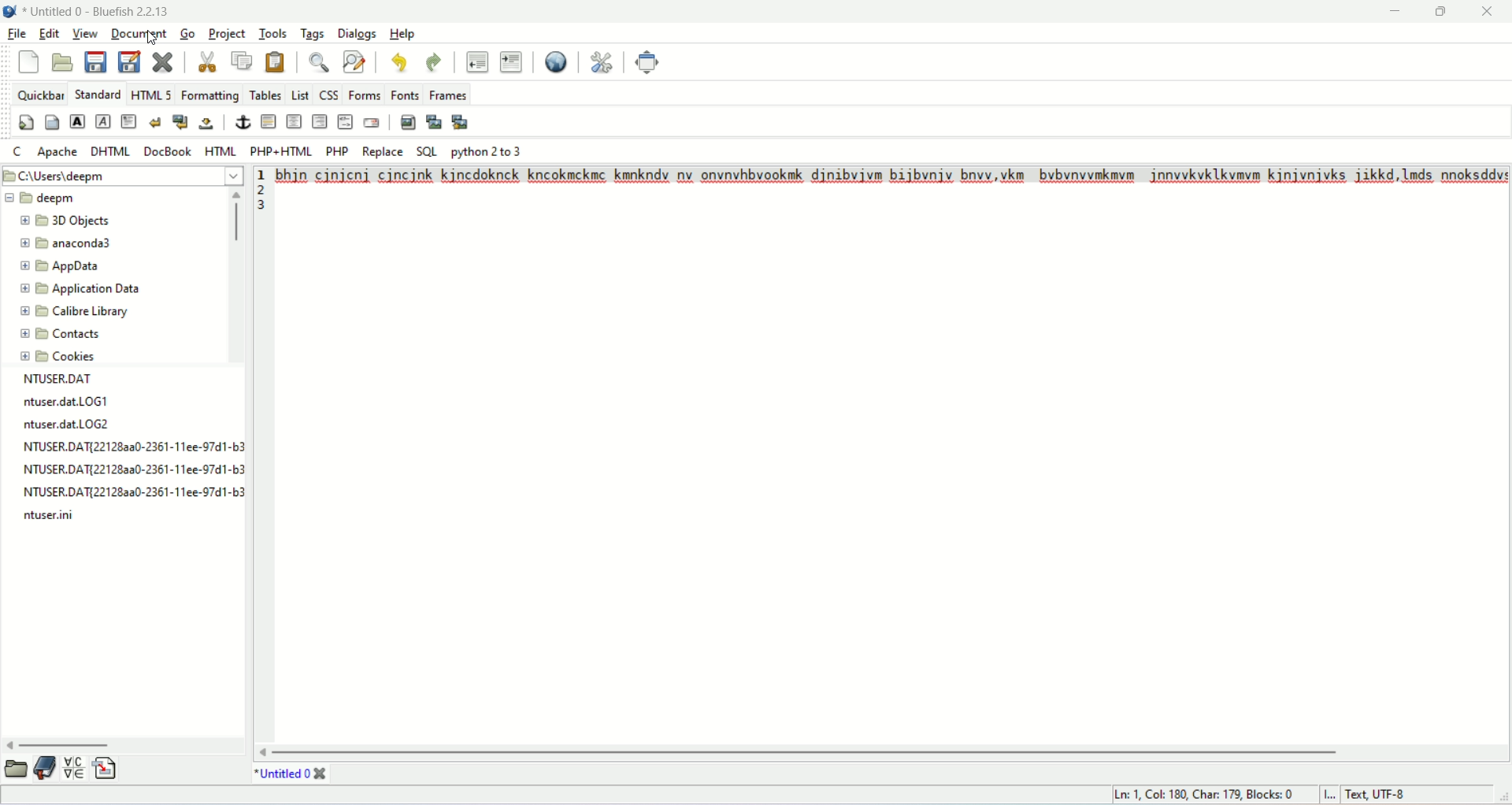 The height and width of the screenshot is (805, 1512). What do you see at coordinates (359, 34) in the screenshot?
I see `dialogs` at bounding box center [359, 34].